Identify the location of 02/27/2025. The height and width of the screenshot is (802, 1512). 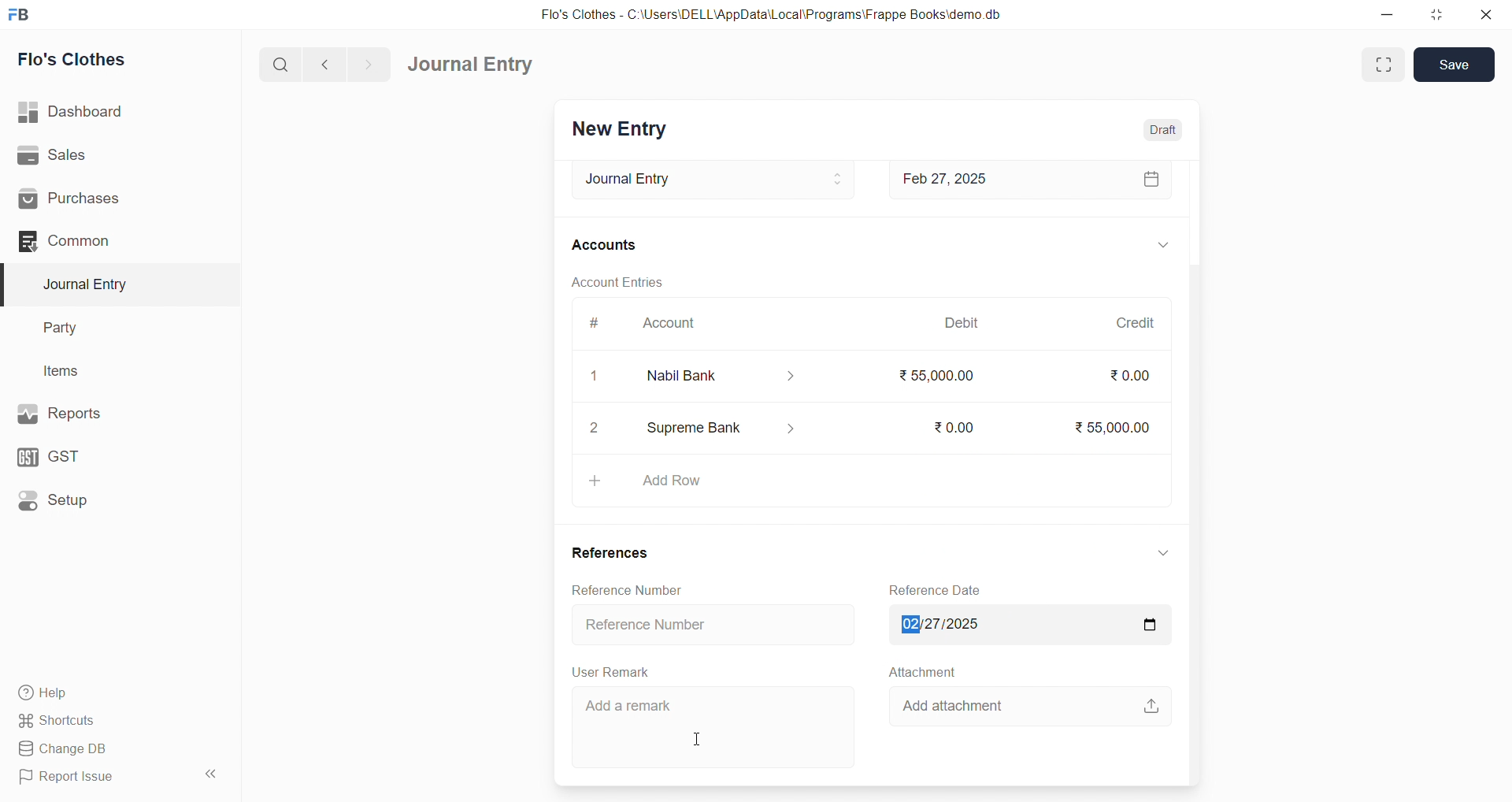
(1025, 625).